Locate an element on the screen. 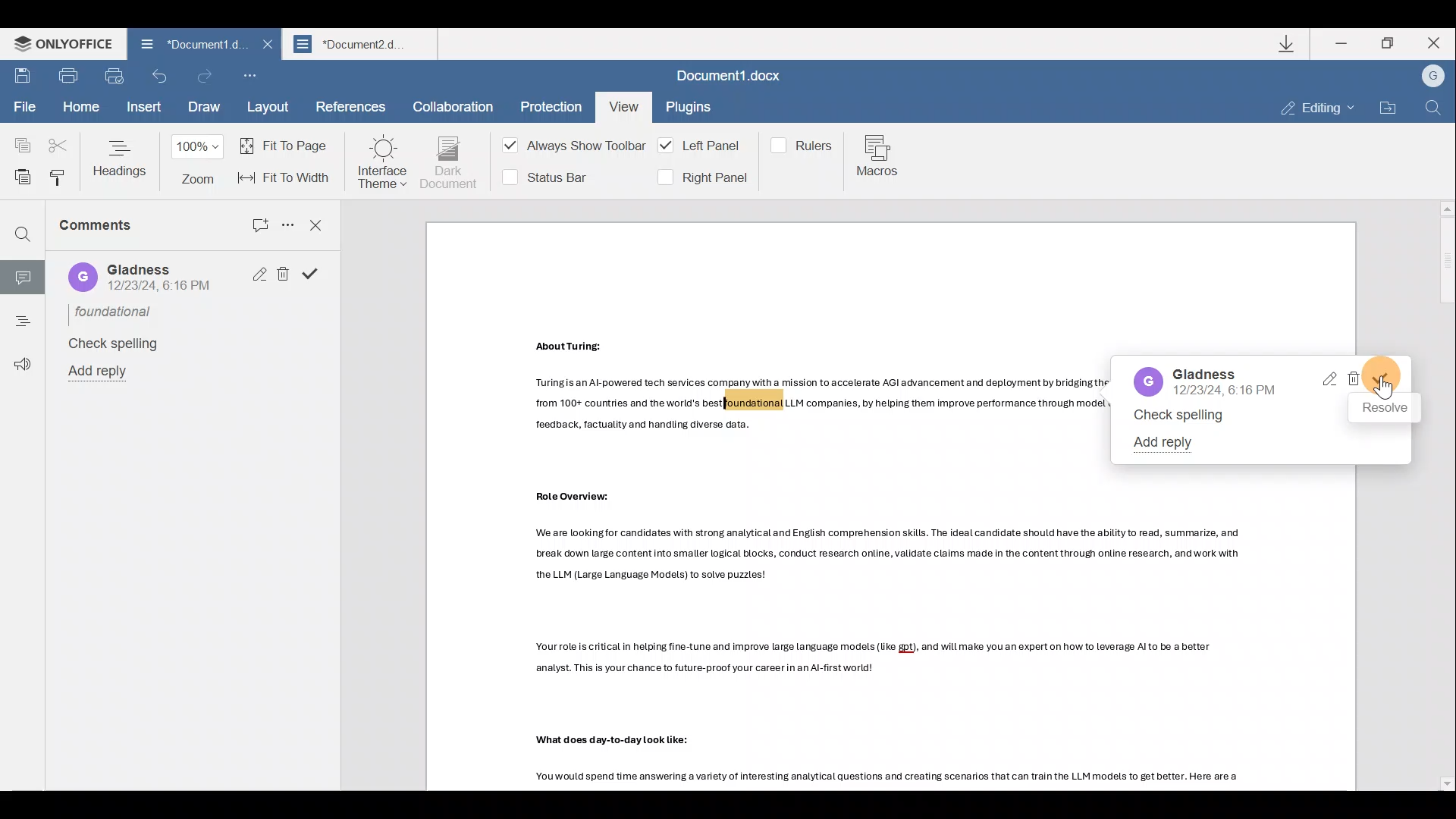 Image resolution: width=1456 pixels, height=819 pixels. Fit to page is located at coordinates (287, 145).